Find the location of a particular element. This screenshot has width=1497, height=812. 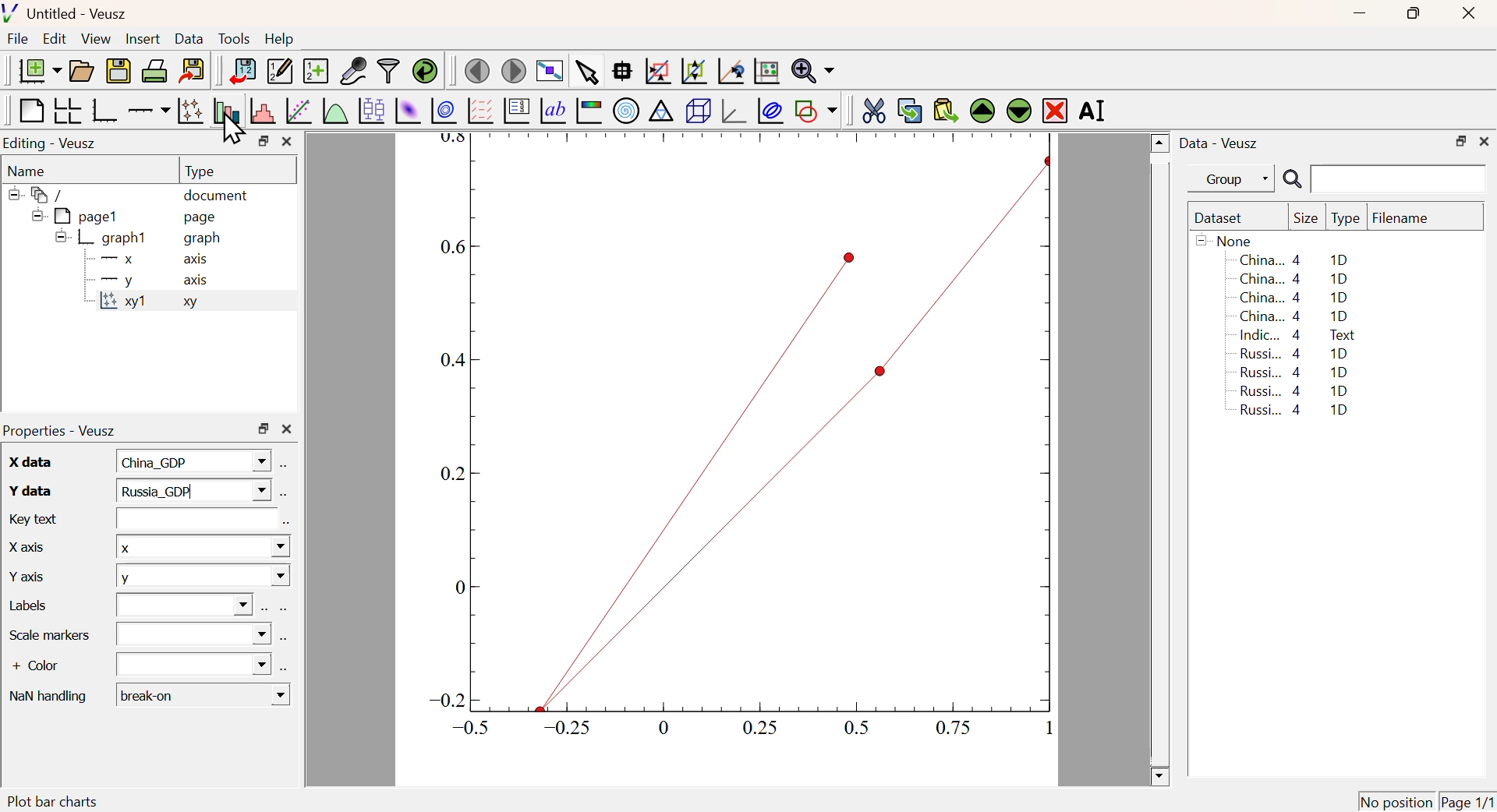

Add a shape is located at coordinates (816, 110).